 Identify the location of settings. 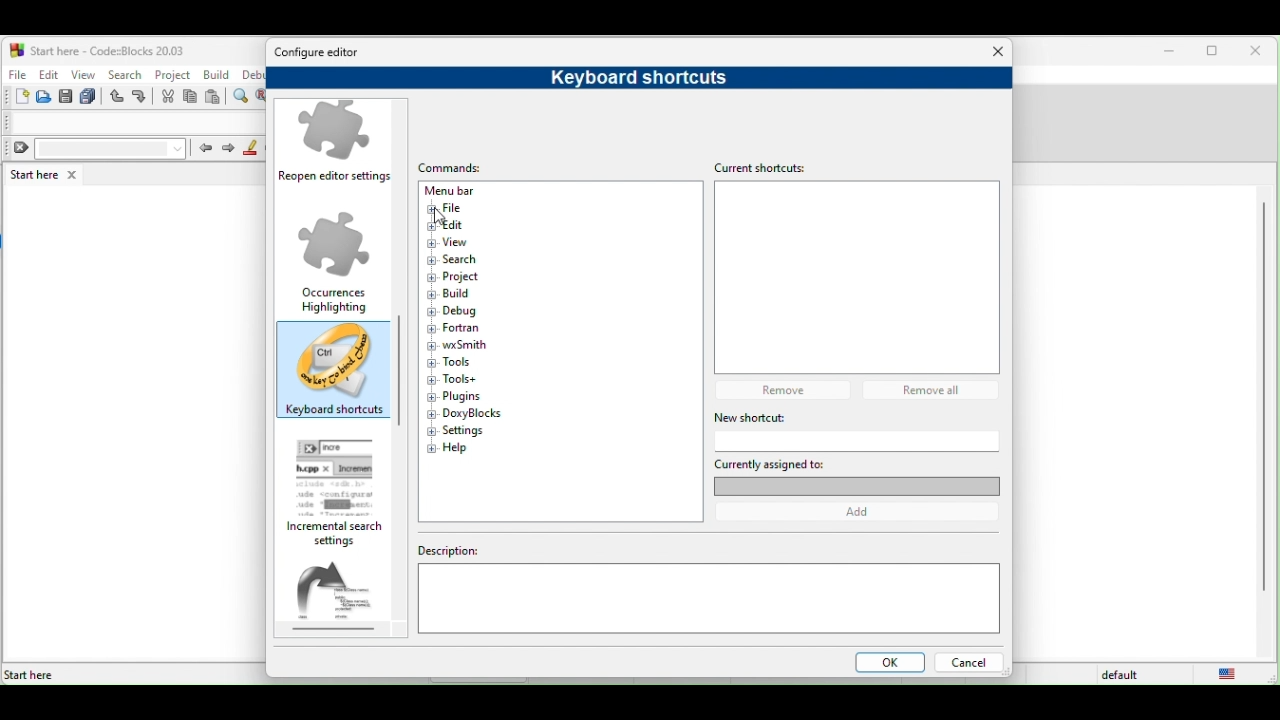
(464, 430).